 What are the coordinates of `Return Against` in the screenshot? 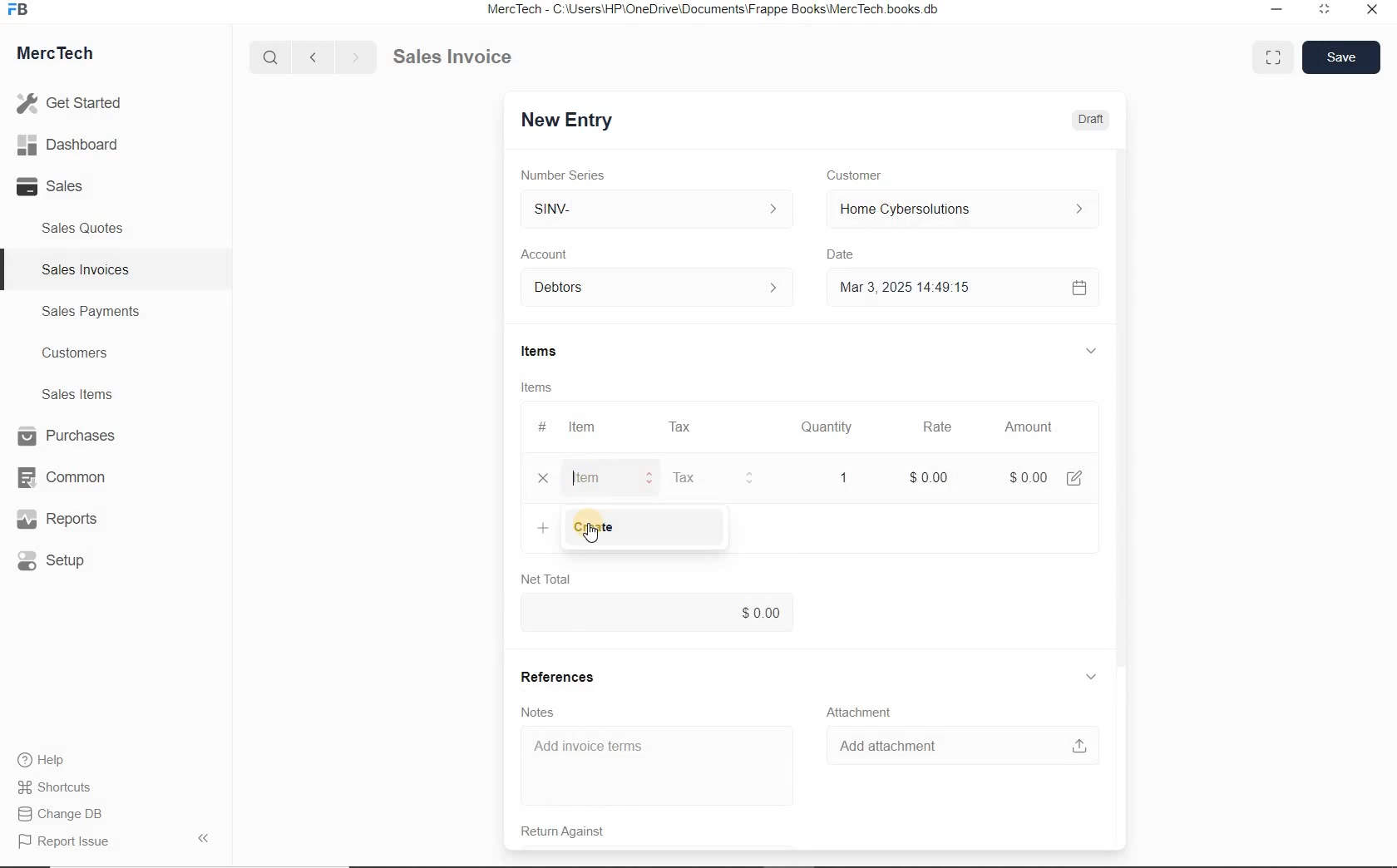 It's located at (575, 831).